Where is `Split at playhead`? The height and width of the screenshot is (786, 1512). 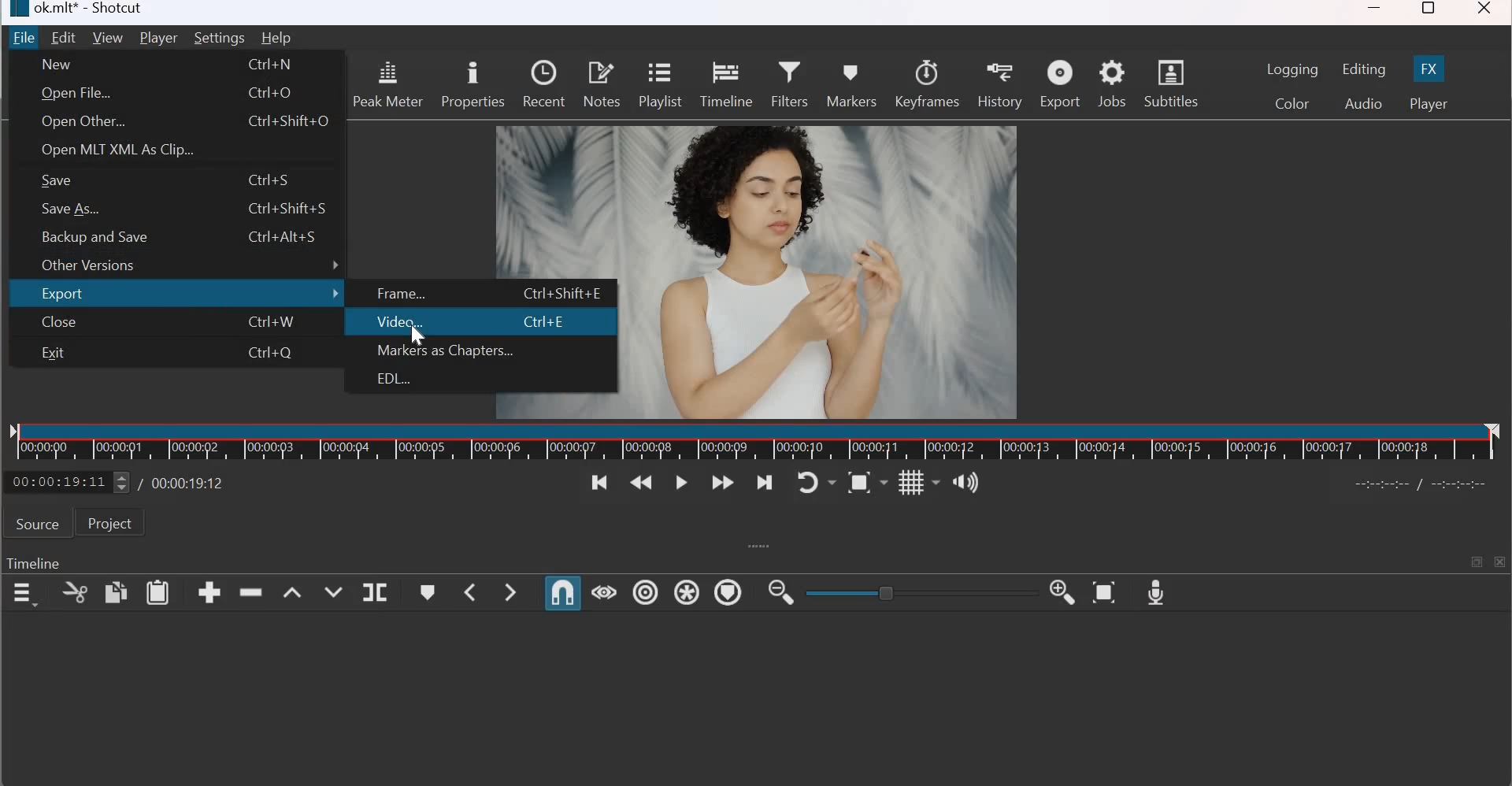 Split at playhead is located at coordinates (374, 592).